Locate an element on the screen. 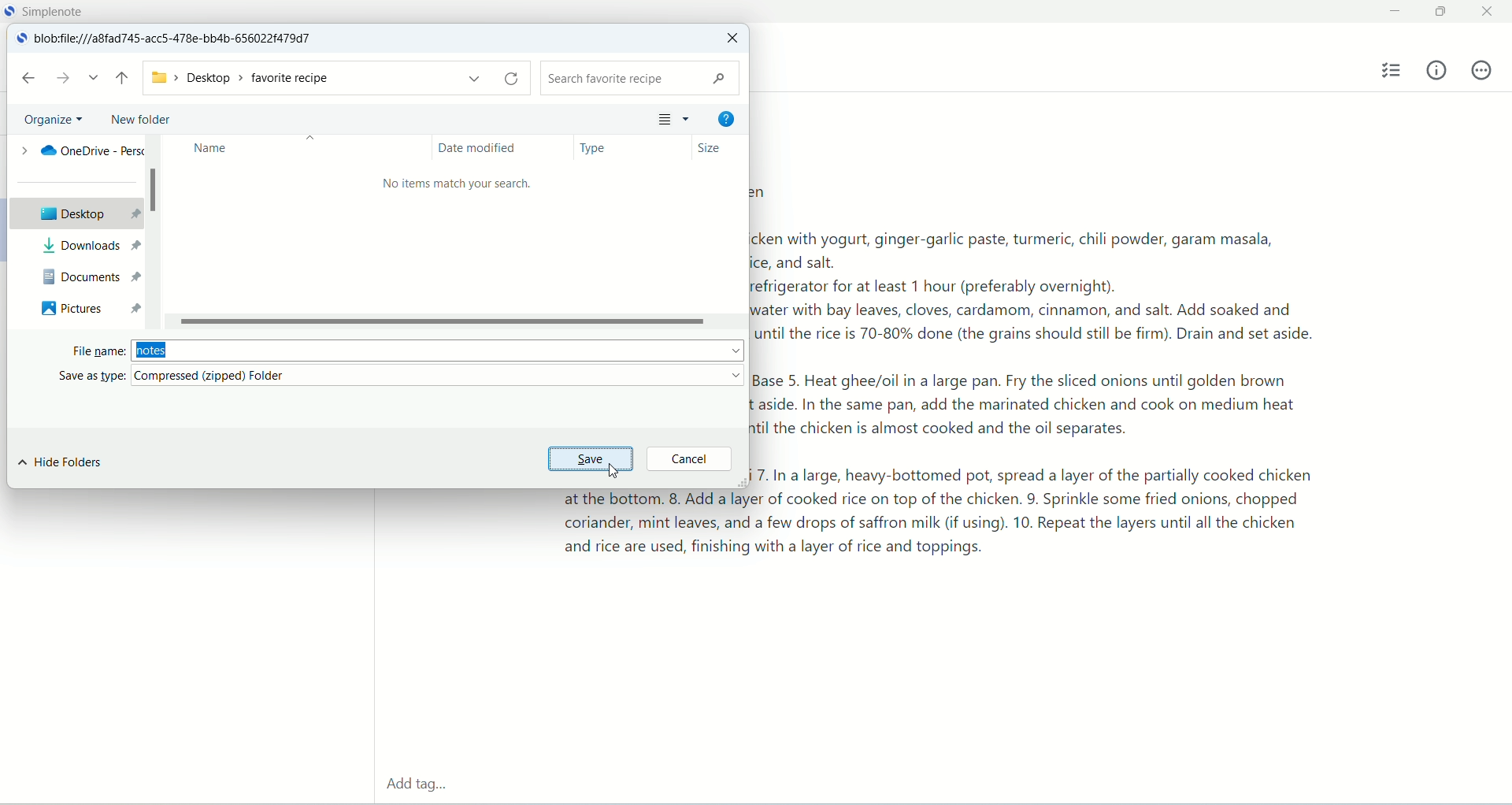  back is located at coordinates (28, 78).